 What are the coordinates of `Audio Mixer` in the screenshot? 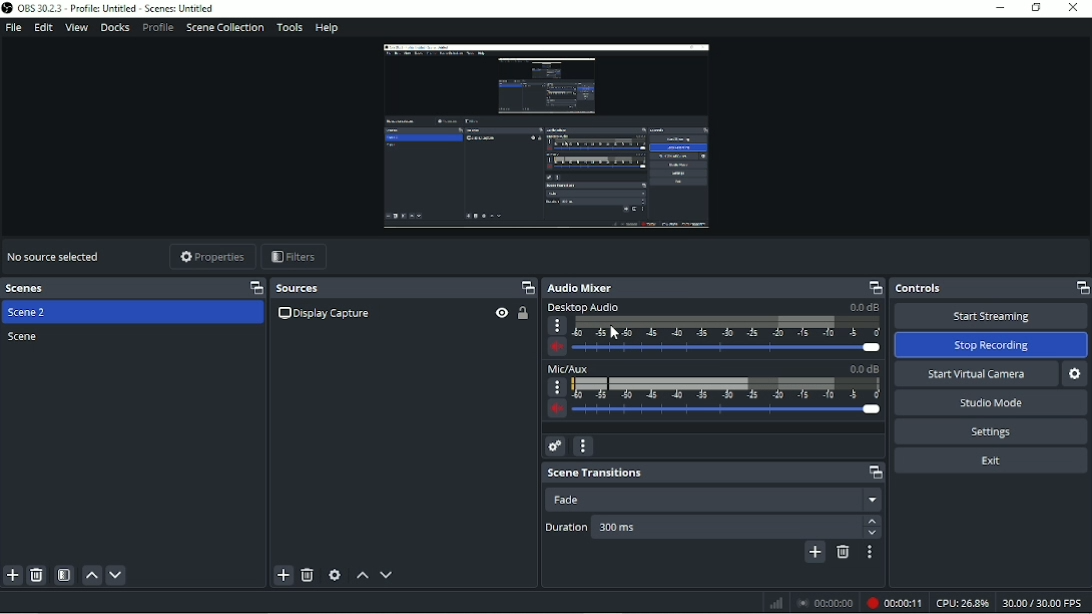 It's located at (714, 287).